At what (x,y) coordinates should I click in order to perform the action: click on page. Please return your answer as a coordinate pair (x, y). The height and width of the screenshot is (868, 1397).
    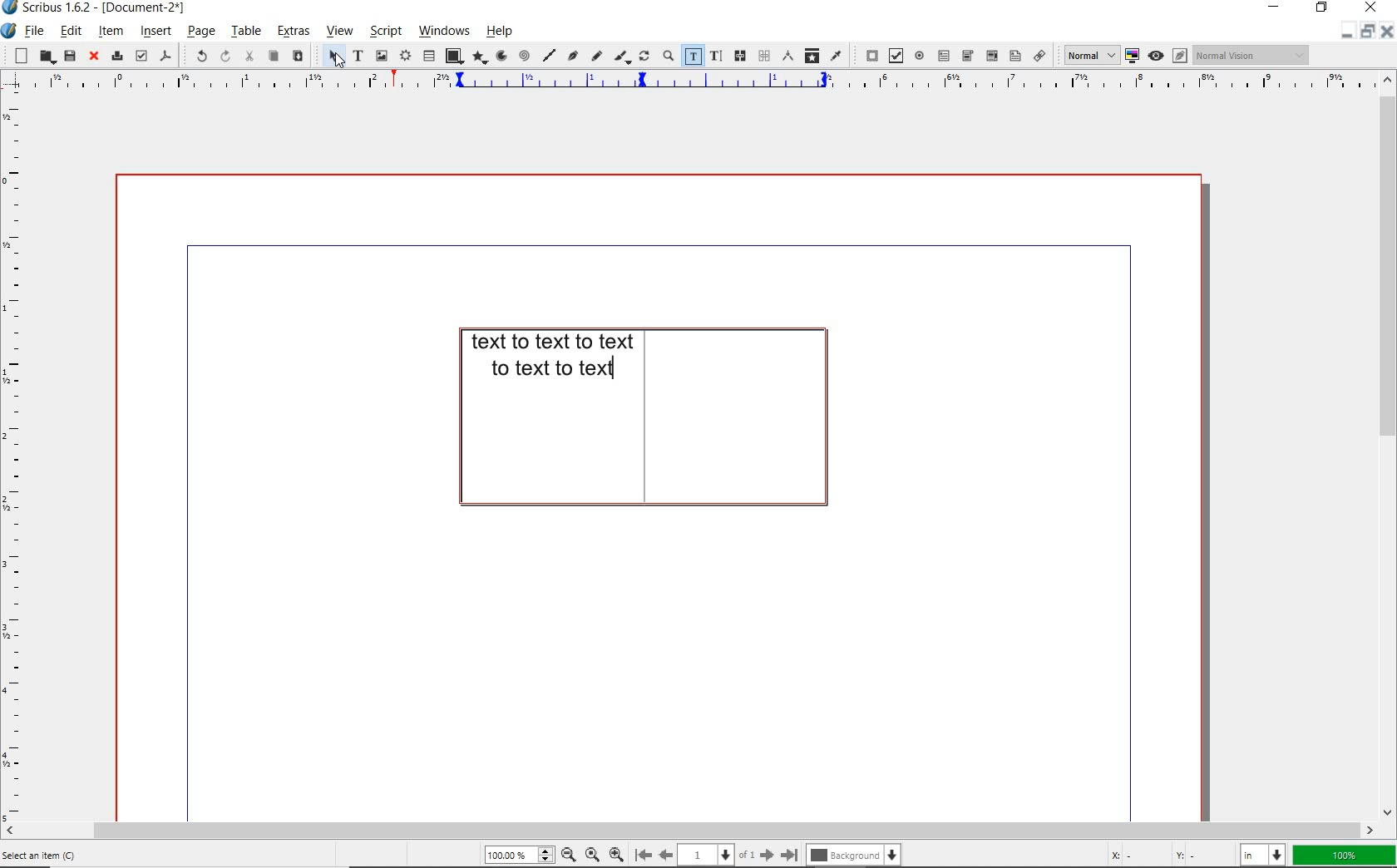
    Looking at the image, I should click on (199, 32).